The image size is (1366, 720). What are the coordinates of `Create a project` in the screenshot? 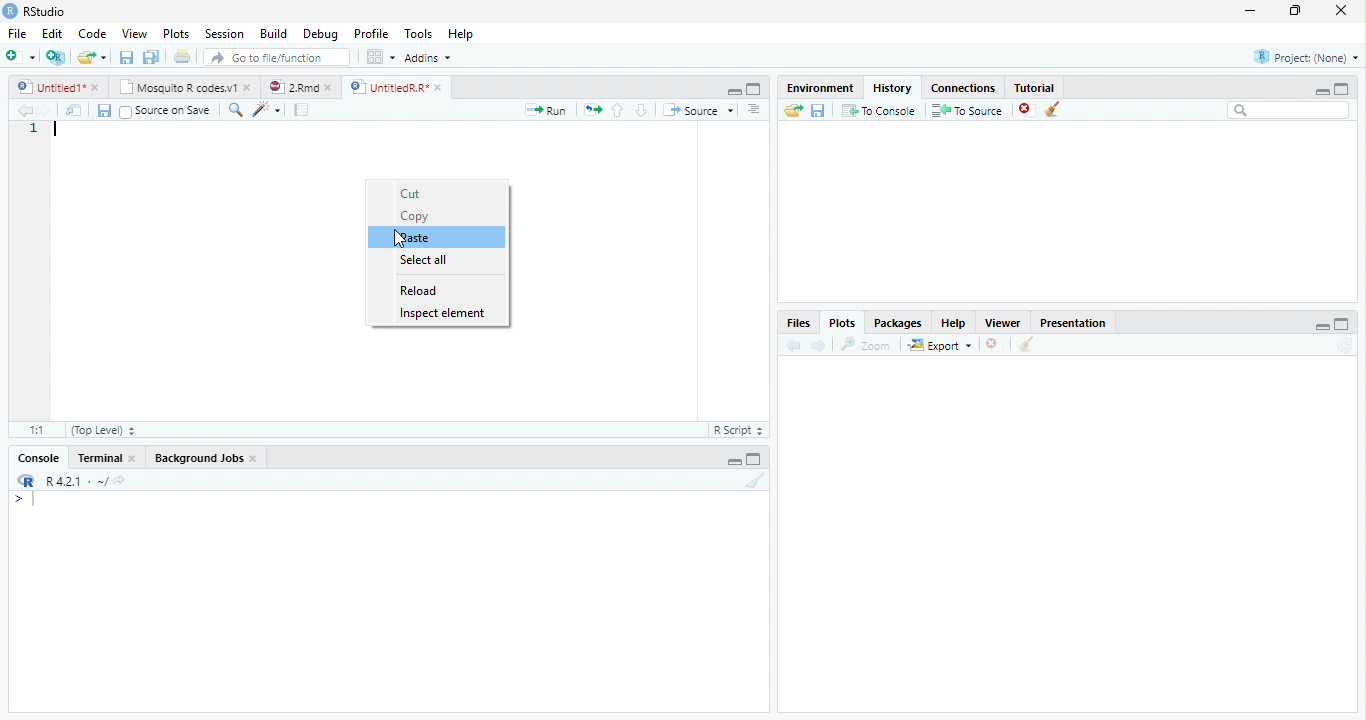 It's located at (55, 57).